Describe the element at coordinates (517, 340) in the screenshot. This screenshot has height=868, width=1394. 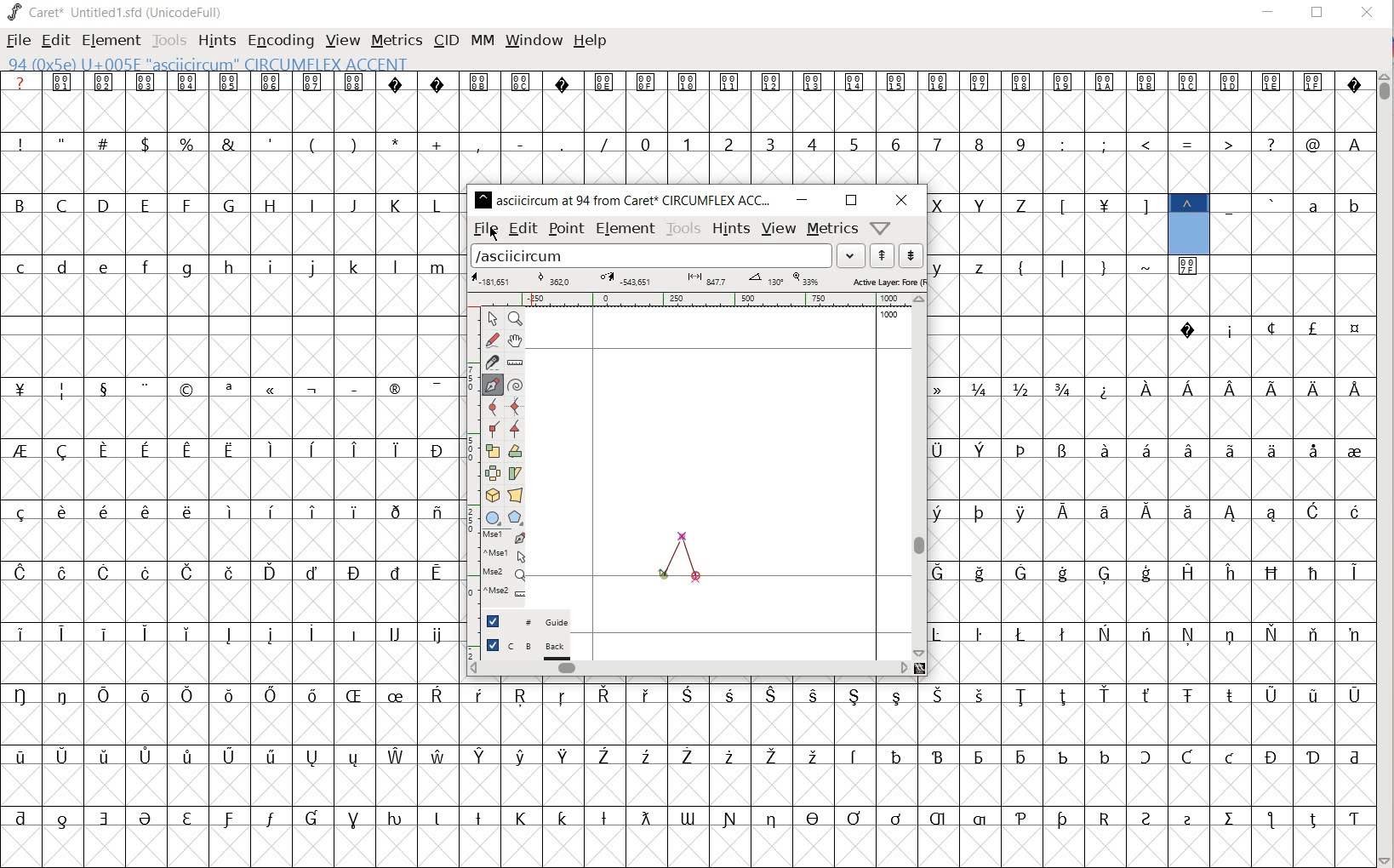
I see `scroll by hand` at that location.